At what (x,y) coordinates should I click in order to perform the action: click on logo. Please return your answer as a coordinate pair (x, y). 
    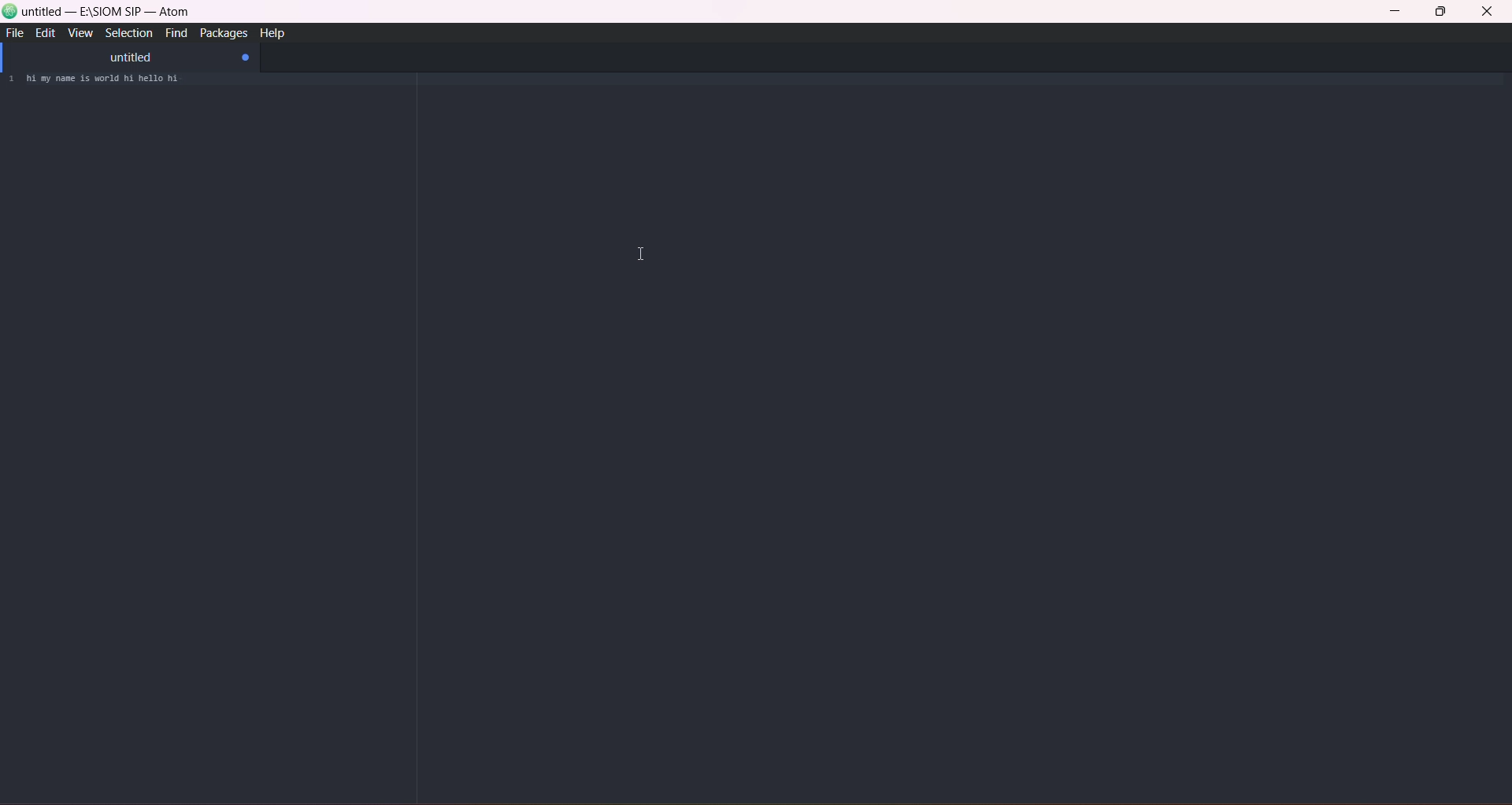
    Looking at the image, I should click on (10, 13).